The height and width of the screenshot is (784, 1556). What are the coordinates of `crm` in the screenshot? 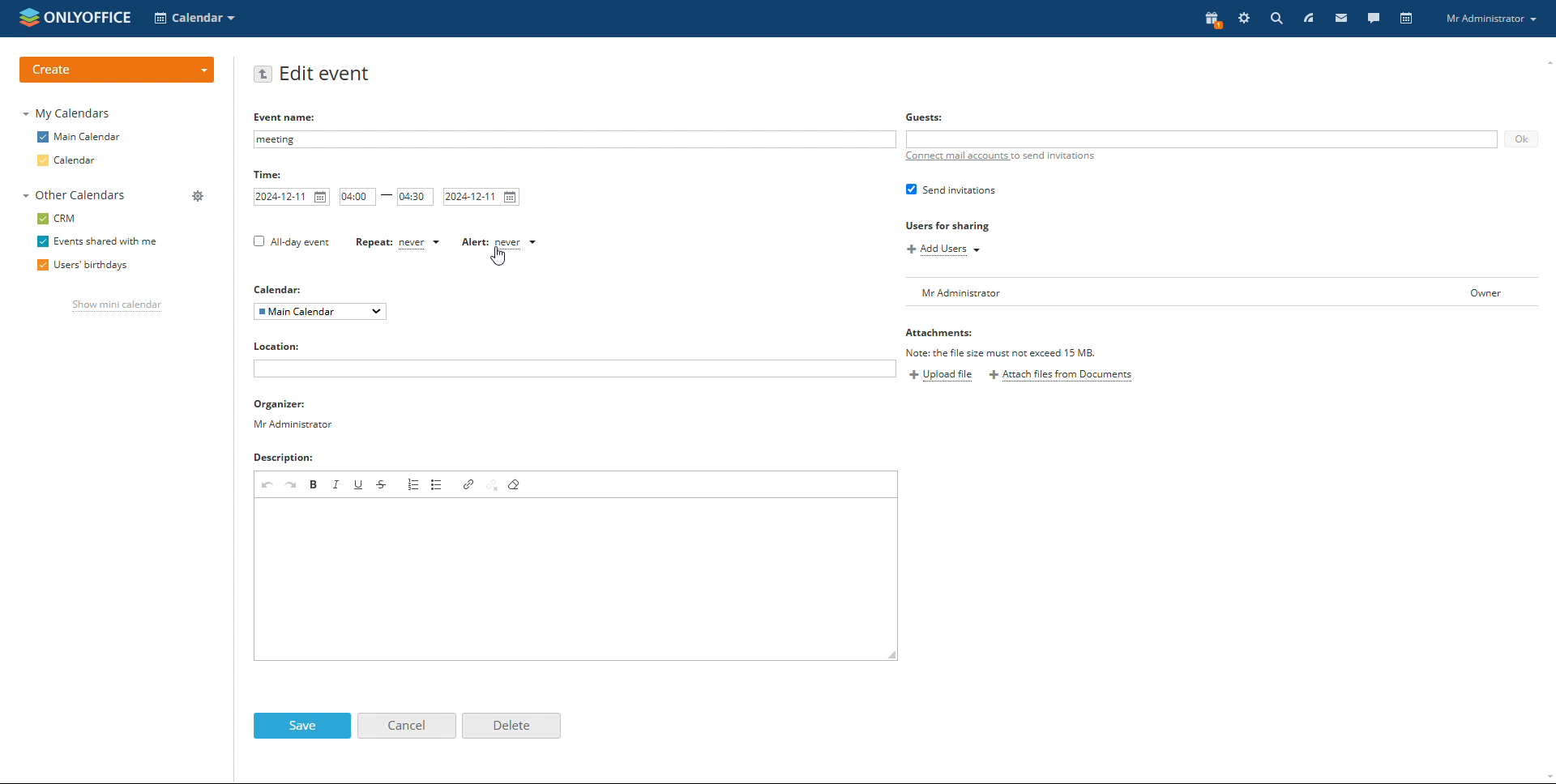 It's located at (58, 218).